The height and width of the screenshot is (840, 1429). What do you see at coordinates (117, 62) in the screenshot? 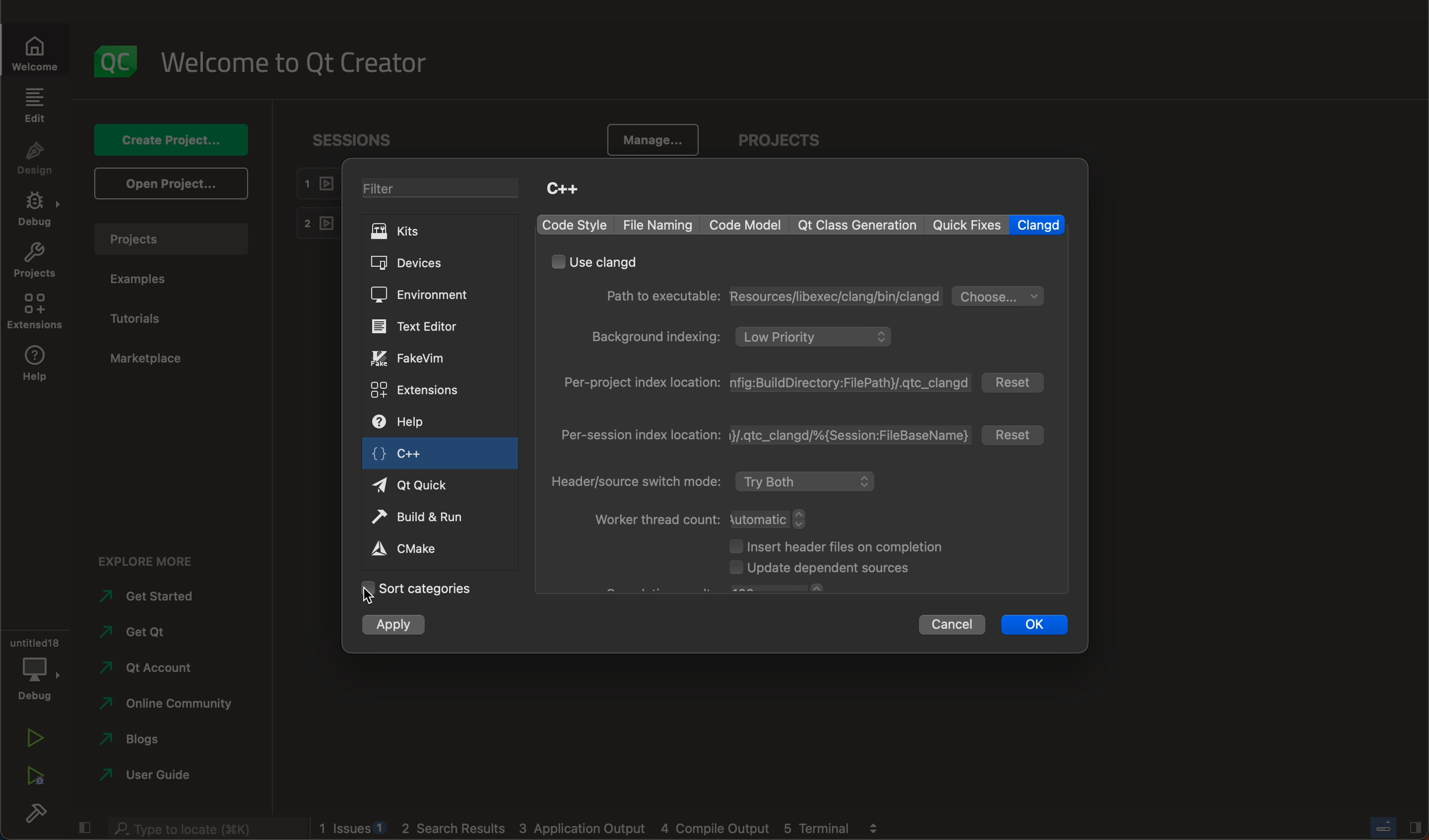
I see `logo` at bounding box center [117, 62].